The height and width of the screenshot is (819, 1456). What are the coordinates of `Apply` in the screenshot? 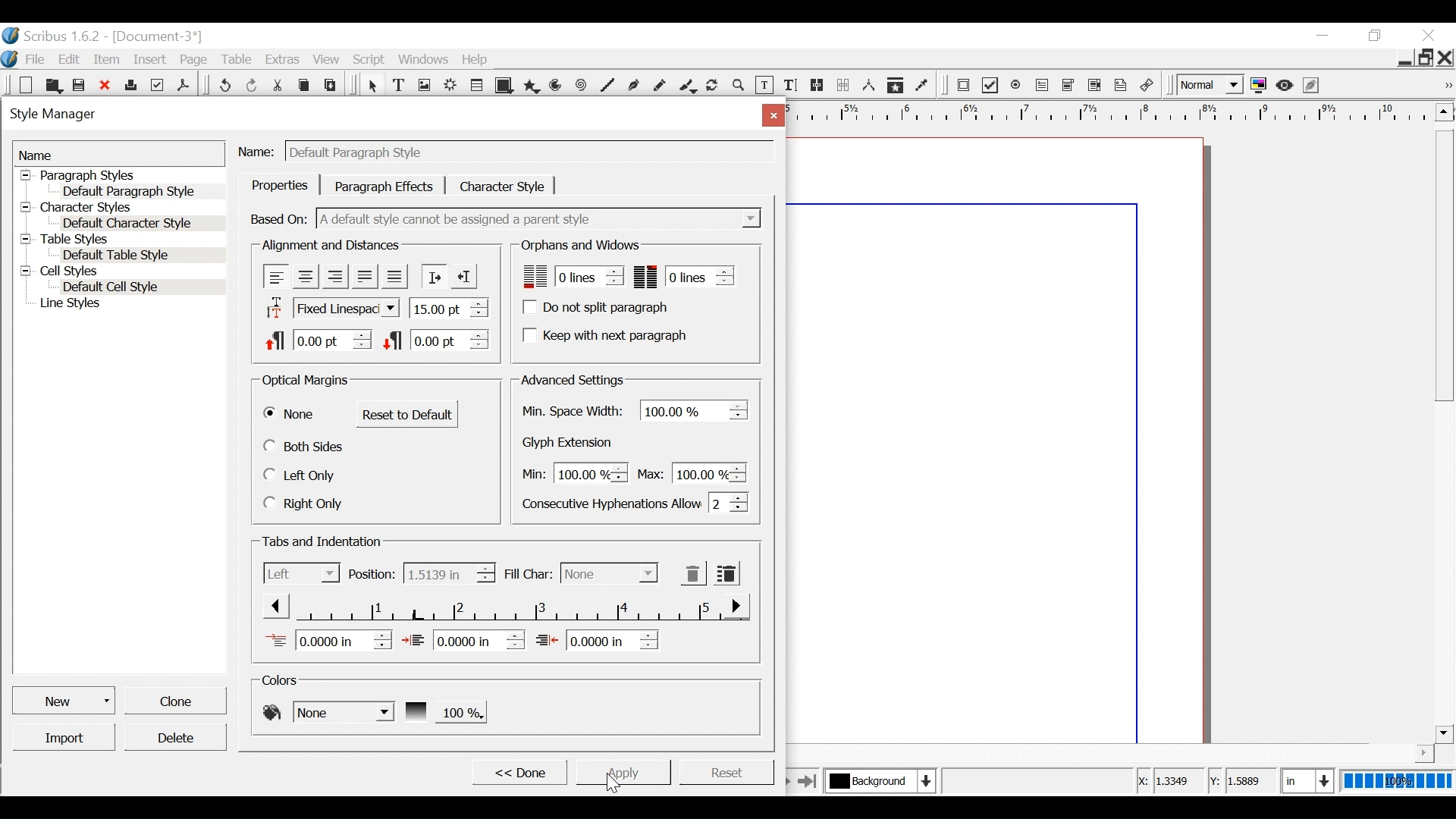 It's located at (622, 771).